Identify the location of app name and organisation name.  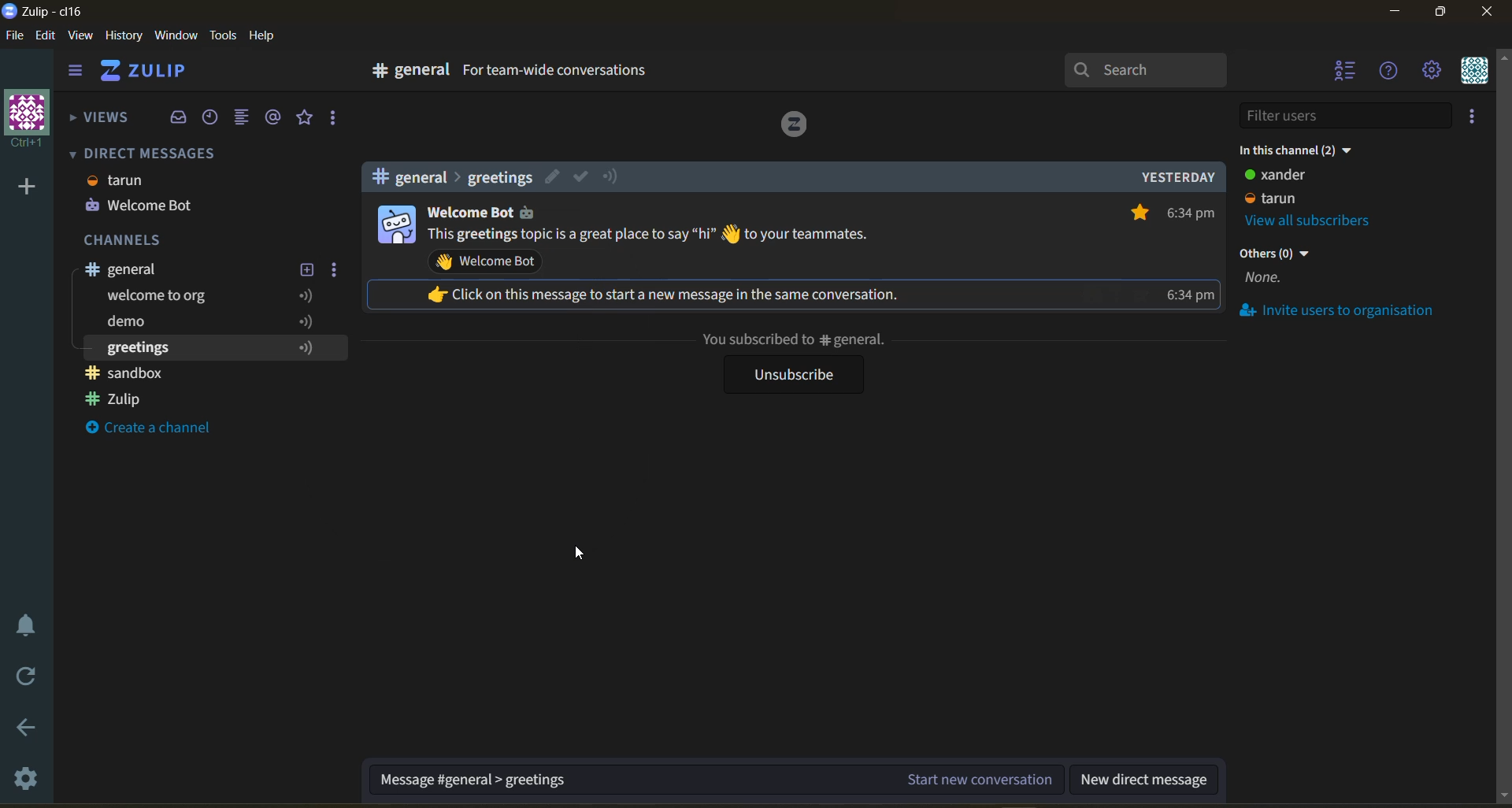
(49, 14).